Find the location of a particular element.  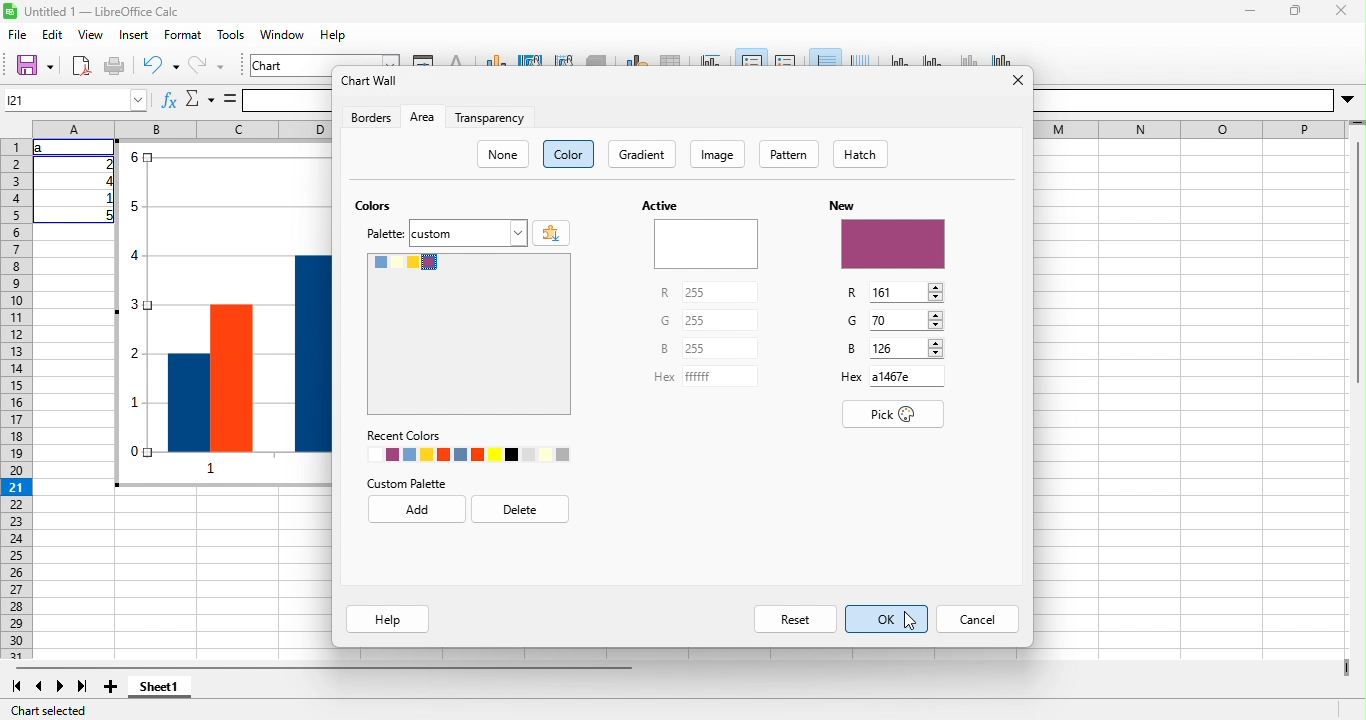

Input for B is located at coordinates (720, 348).